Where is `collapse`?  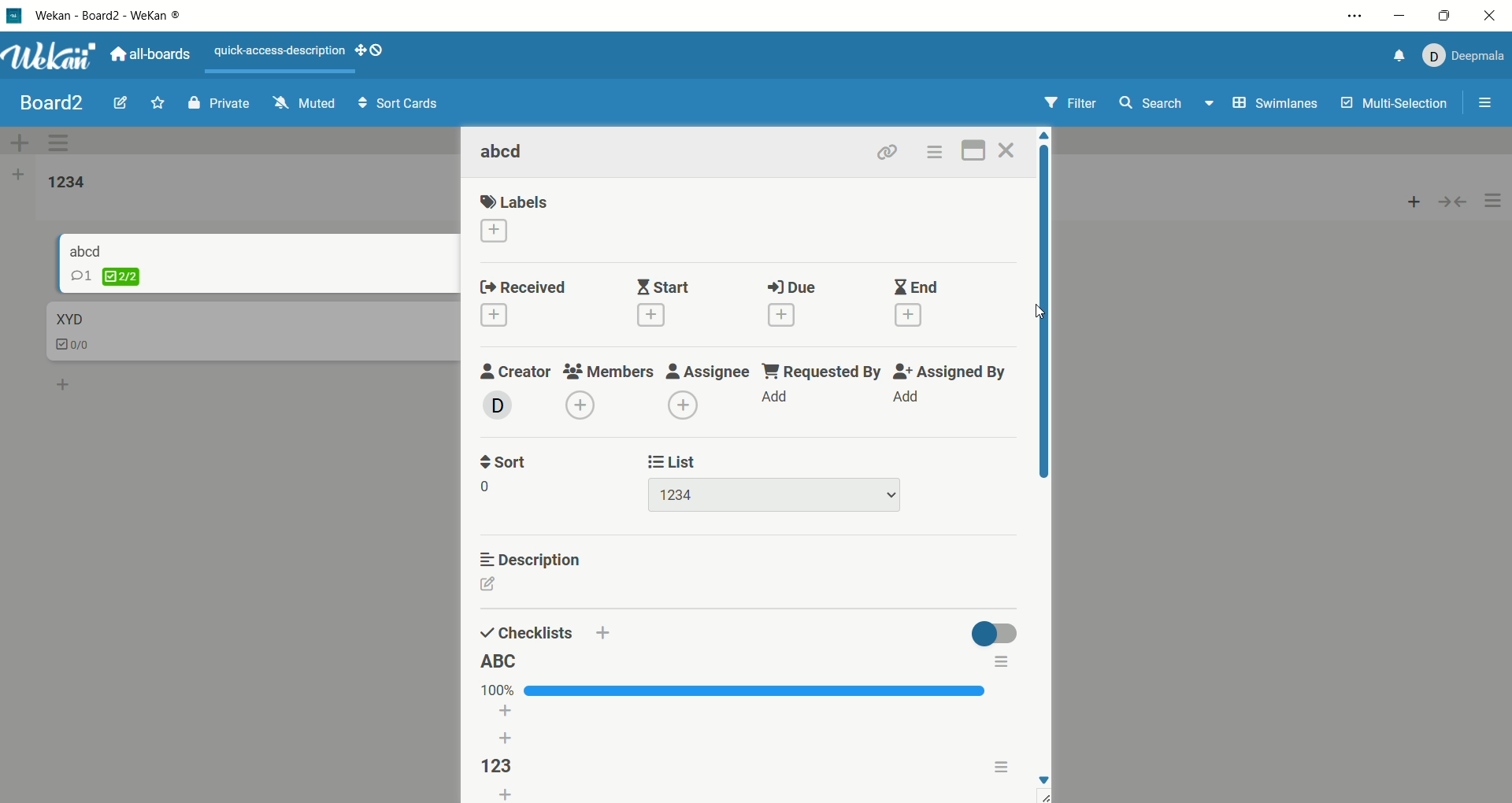
collapse is located at coordinates (1459, 200).